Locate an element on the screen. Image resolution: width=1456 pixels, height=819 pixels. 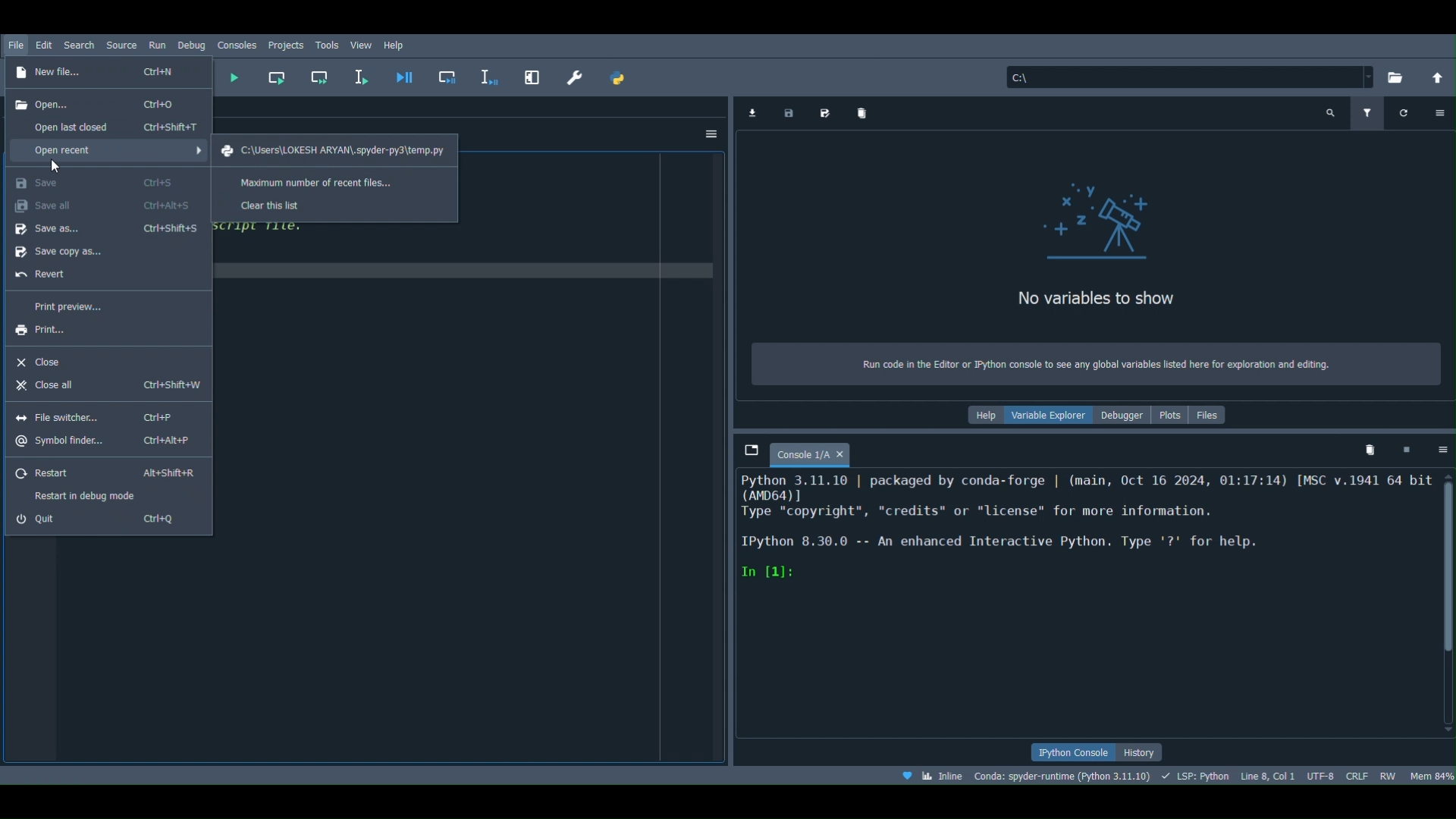
Console 1/A is located at coordinates (798, 455).